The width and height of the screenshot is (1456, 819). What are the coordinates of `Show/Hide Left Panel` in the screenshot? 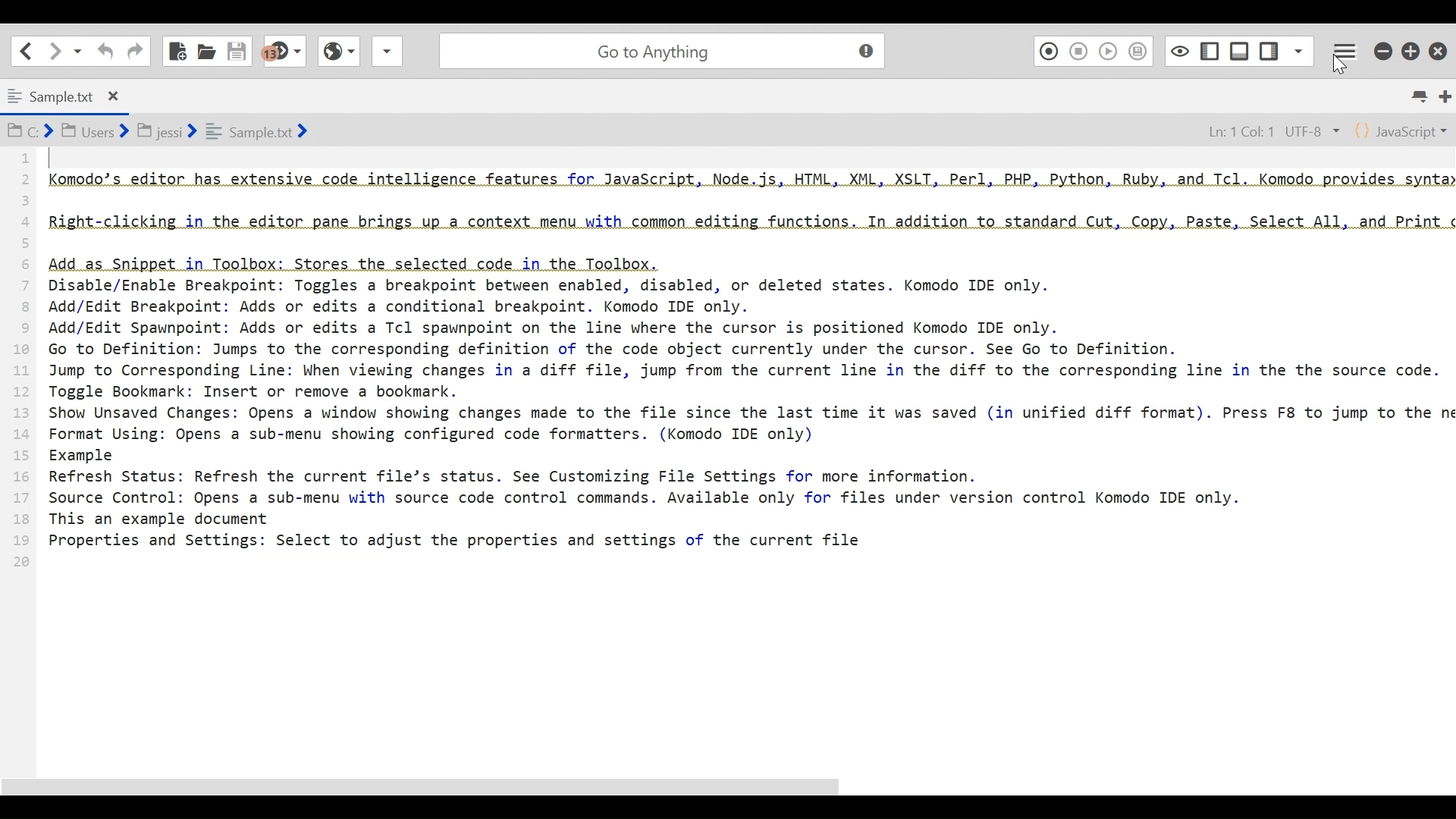 It's located at (1270, 48).